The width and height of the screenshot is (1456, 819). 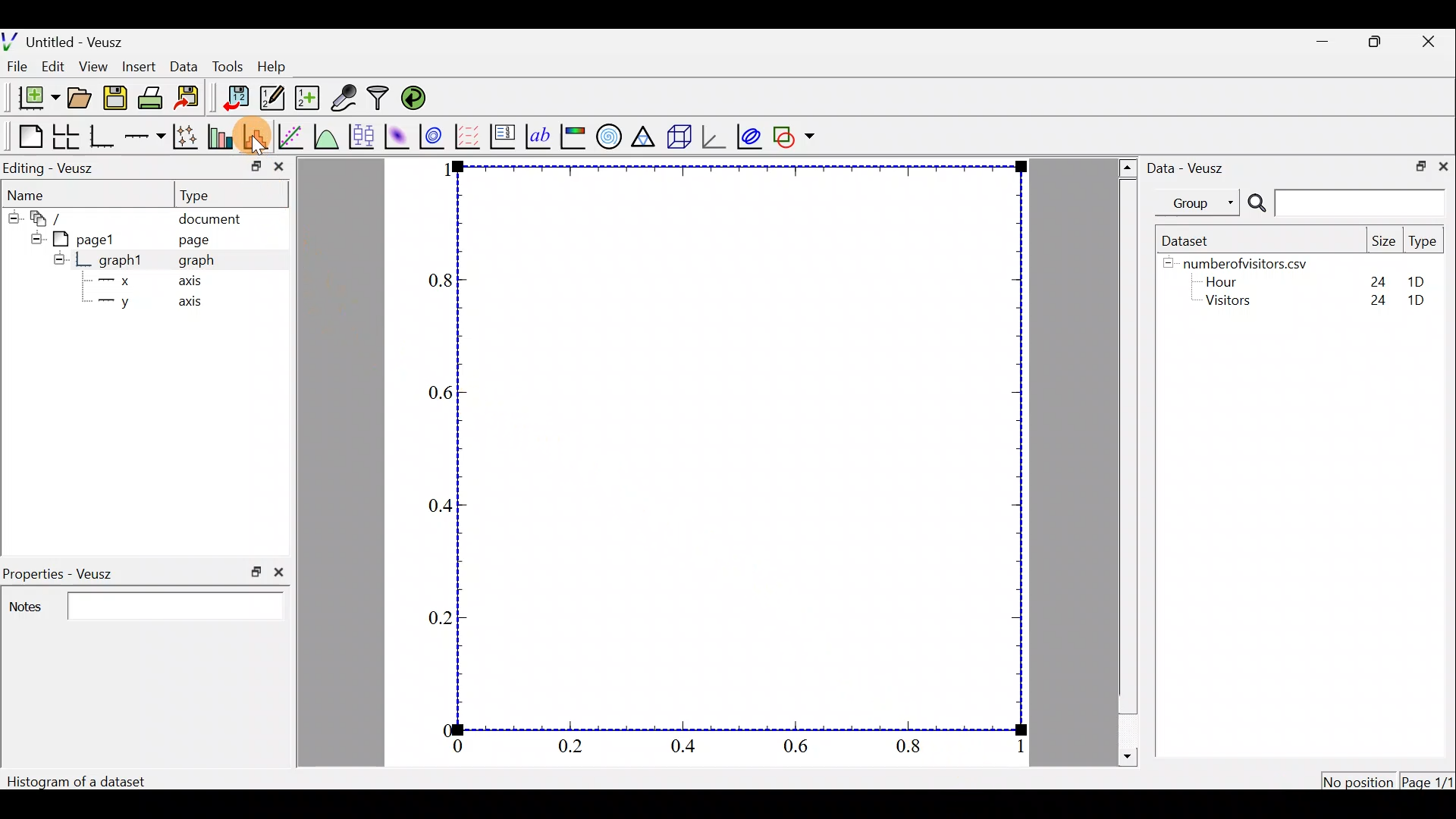 I want to click on No position, so click(x=1359, y=780).